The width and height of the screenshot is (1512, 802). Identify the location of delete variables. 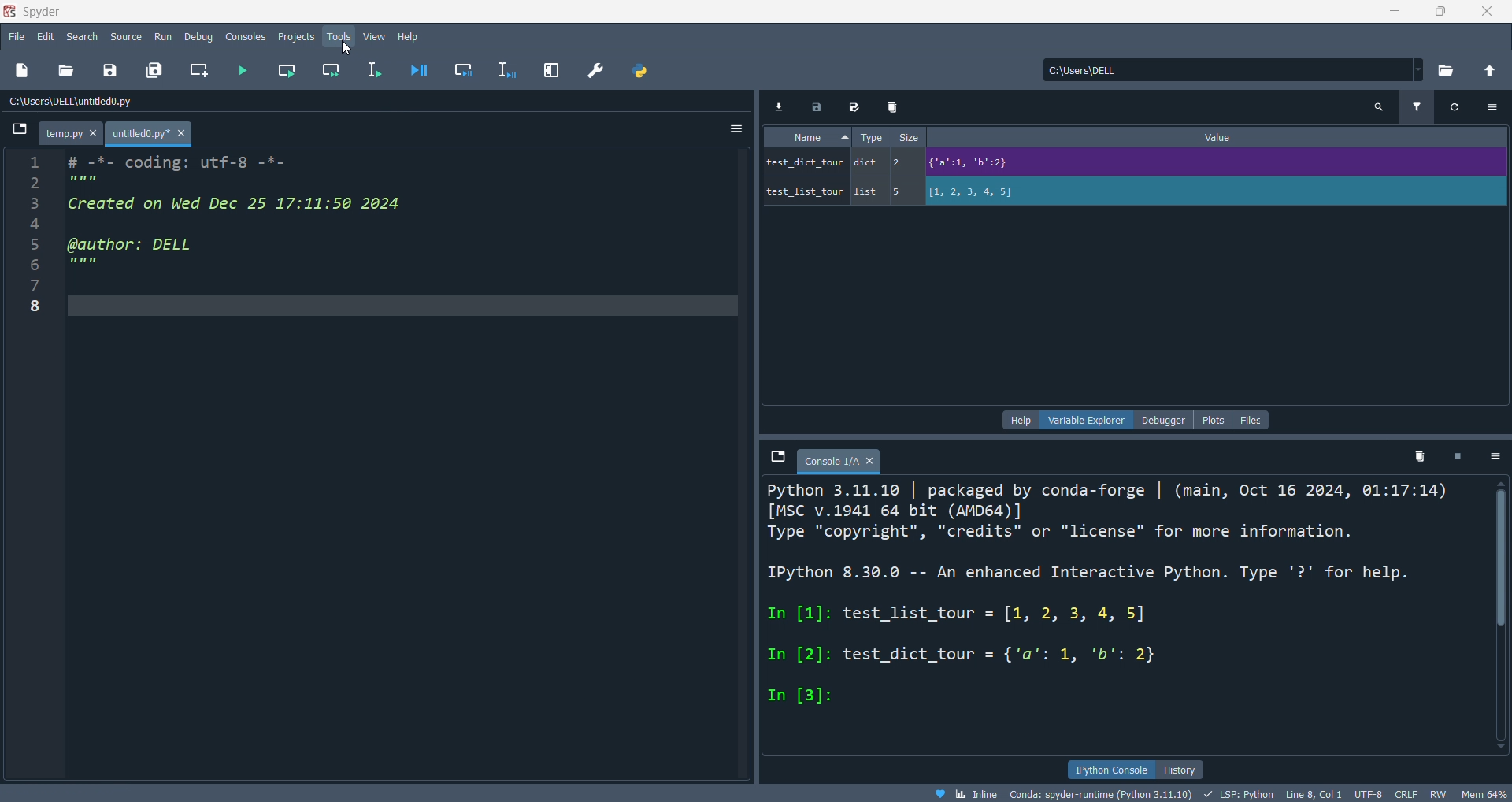
(895, 108).